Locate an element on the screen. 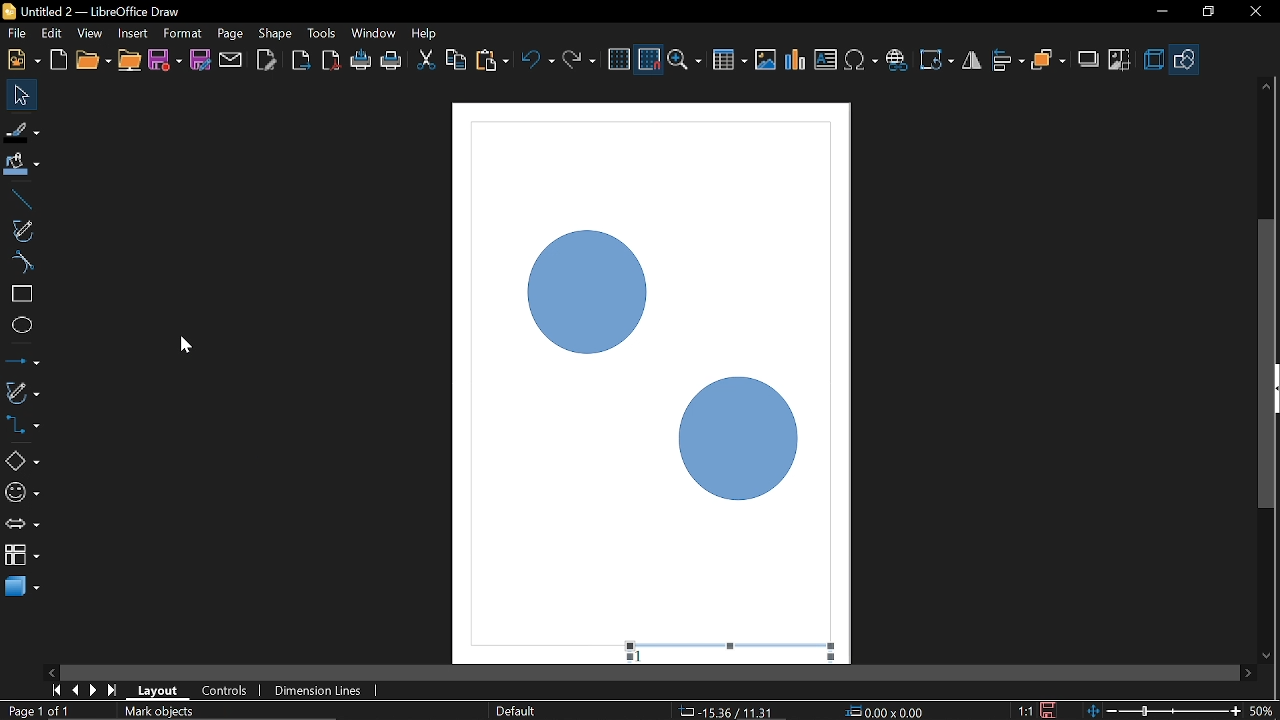  Page number added  is located at coordinates (634, 654).